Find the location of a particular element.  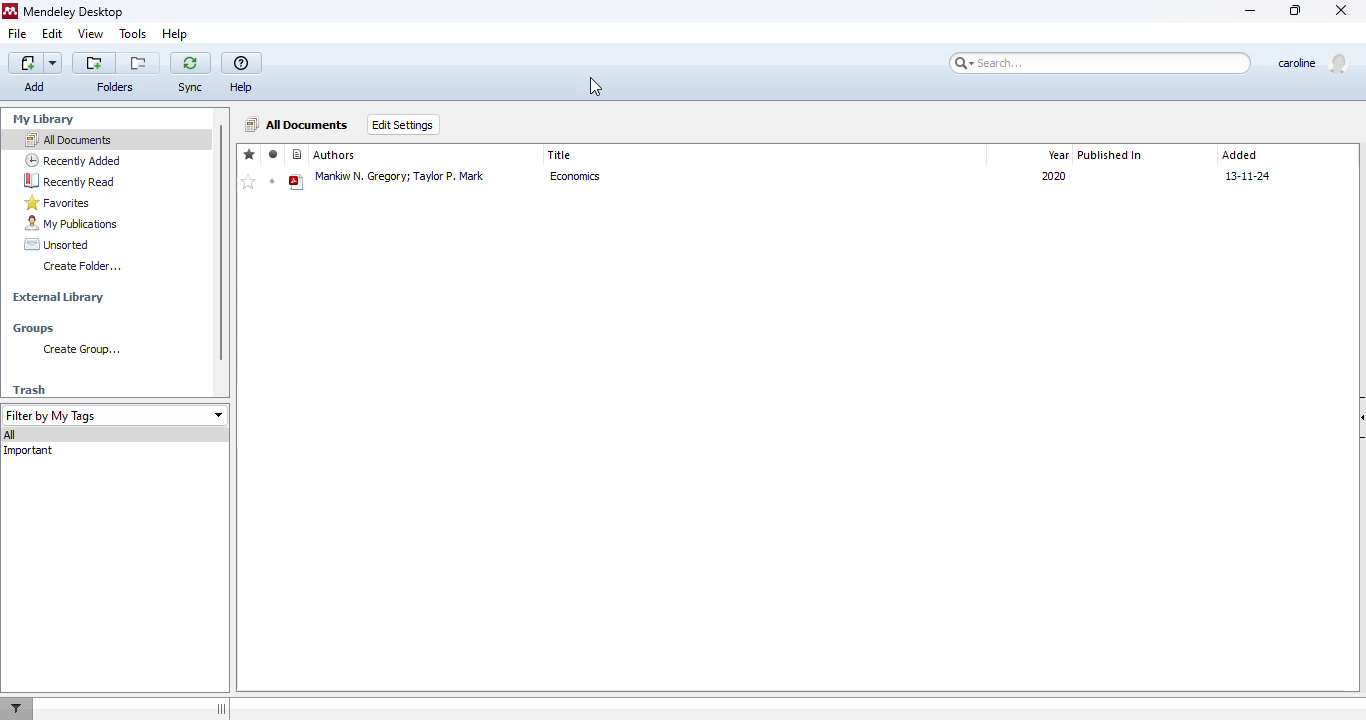

authors is located at coordinates (335, 155).